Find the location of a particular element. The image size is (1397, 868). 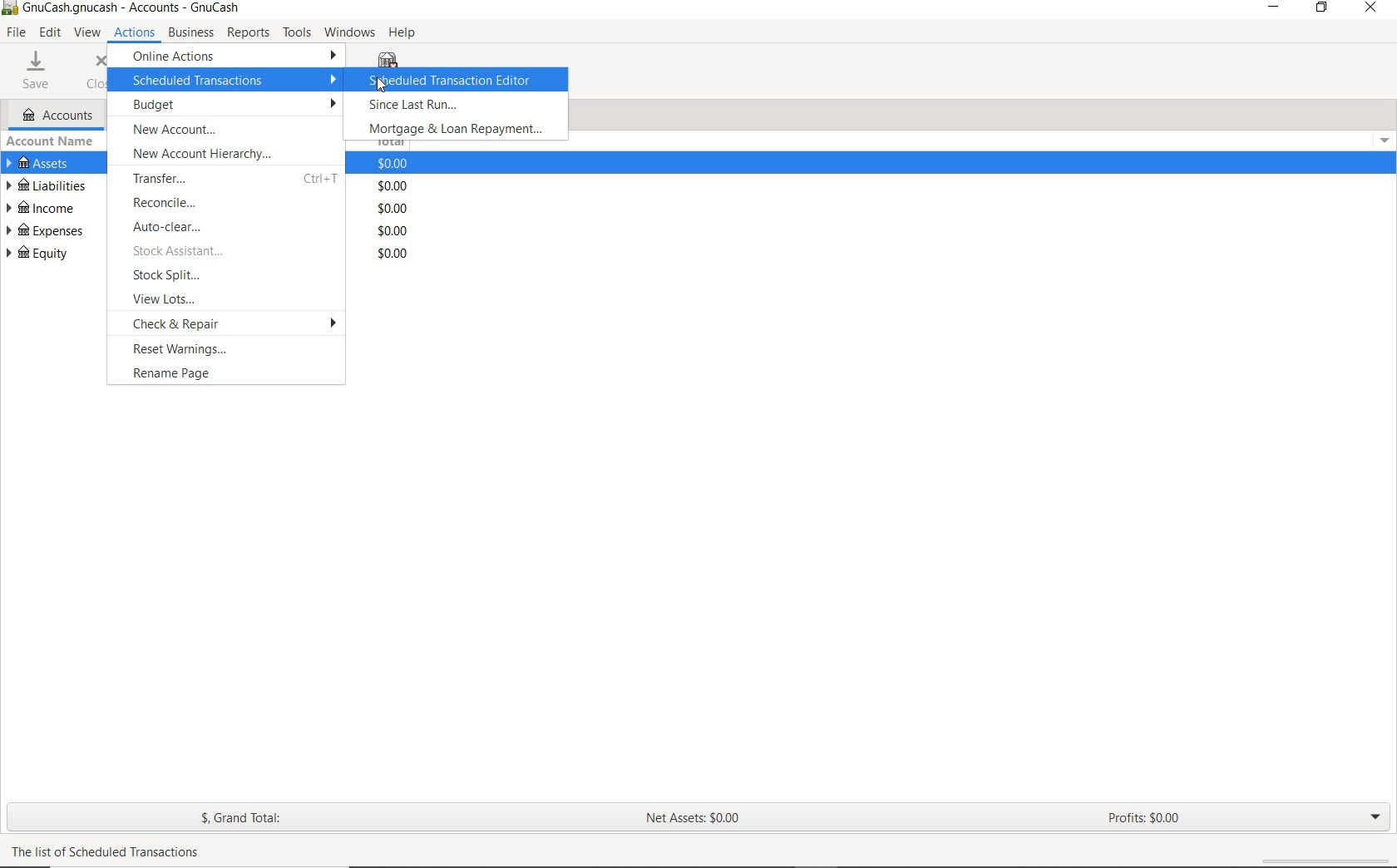

ACTIONS is located at coordinates (135, 35).